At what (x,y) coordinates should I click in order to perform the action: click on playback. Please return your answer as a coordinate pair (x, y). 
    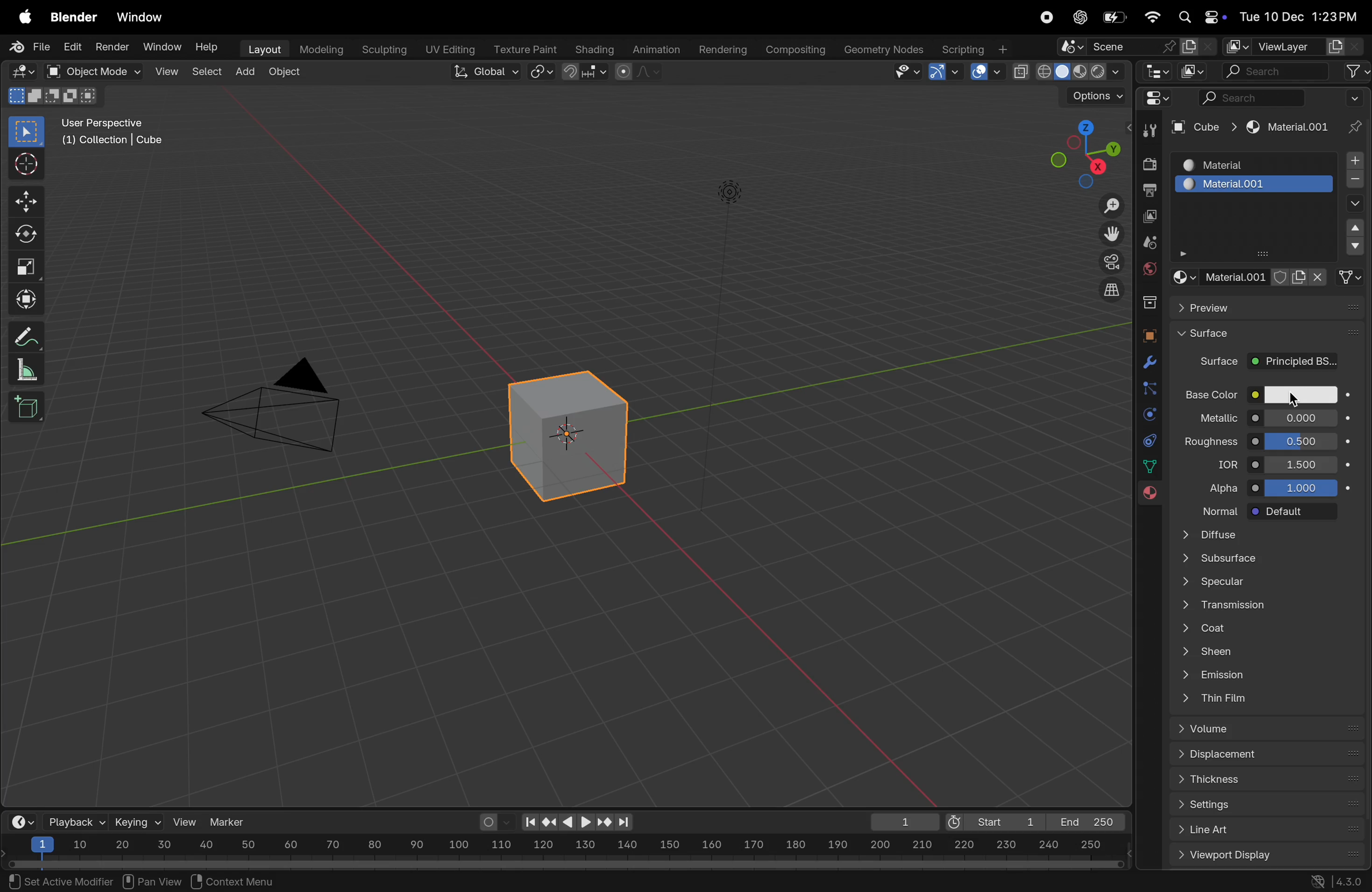
    Looking at the image, I should click on (74, 821).